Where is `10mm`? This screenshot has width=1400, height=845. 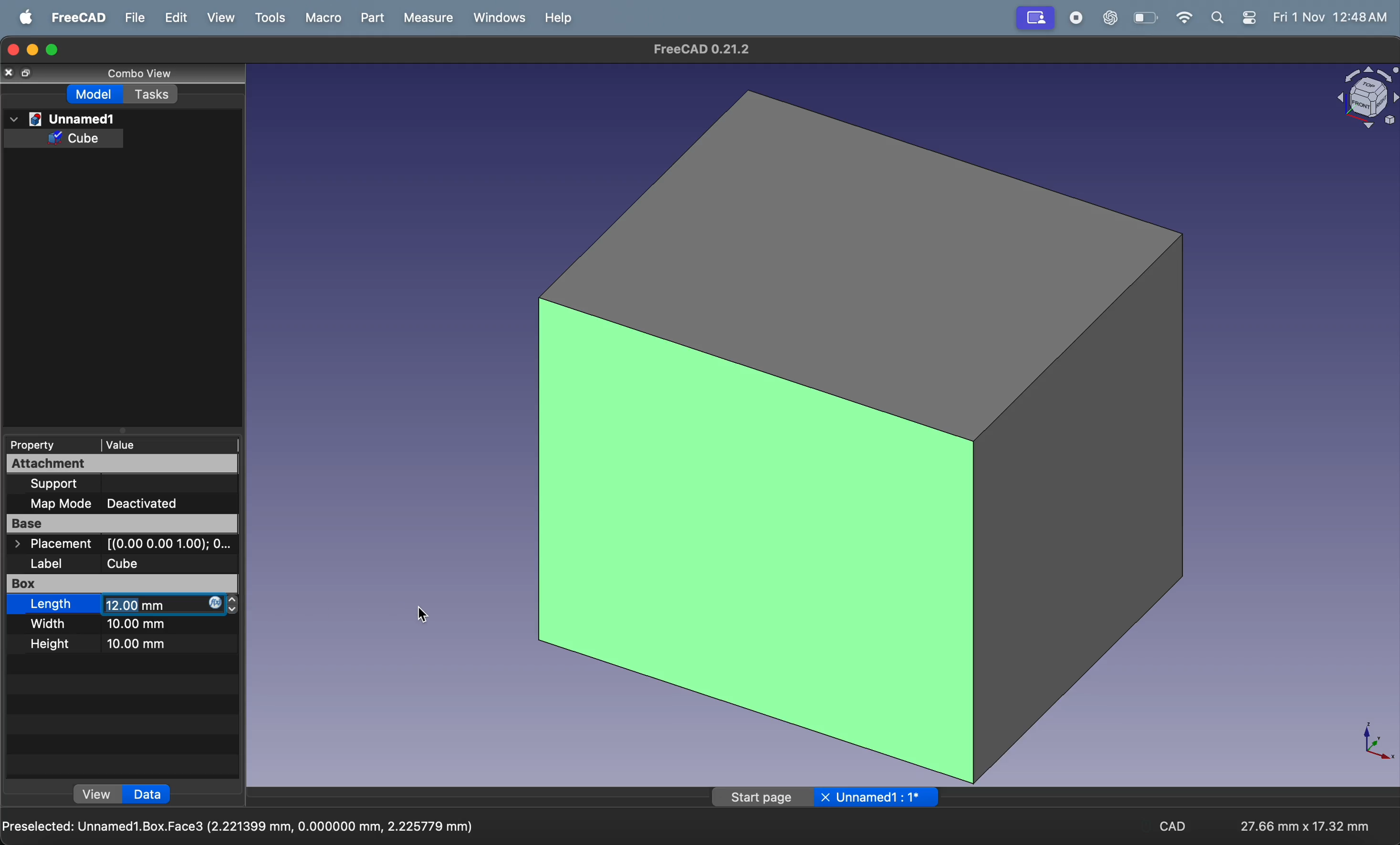
10mm is located at coordinates (140, 643).